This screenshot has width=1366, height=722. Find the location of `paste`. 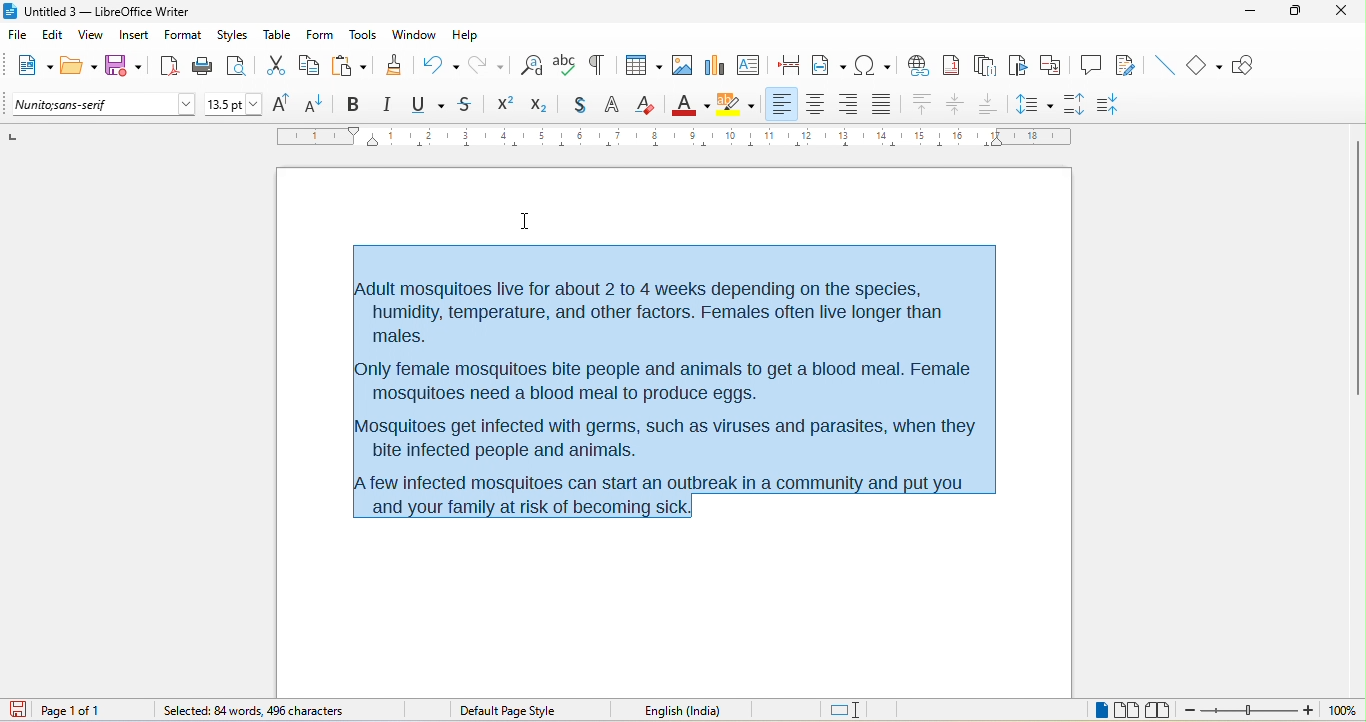

paste is located at coordinates (349, 66).